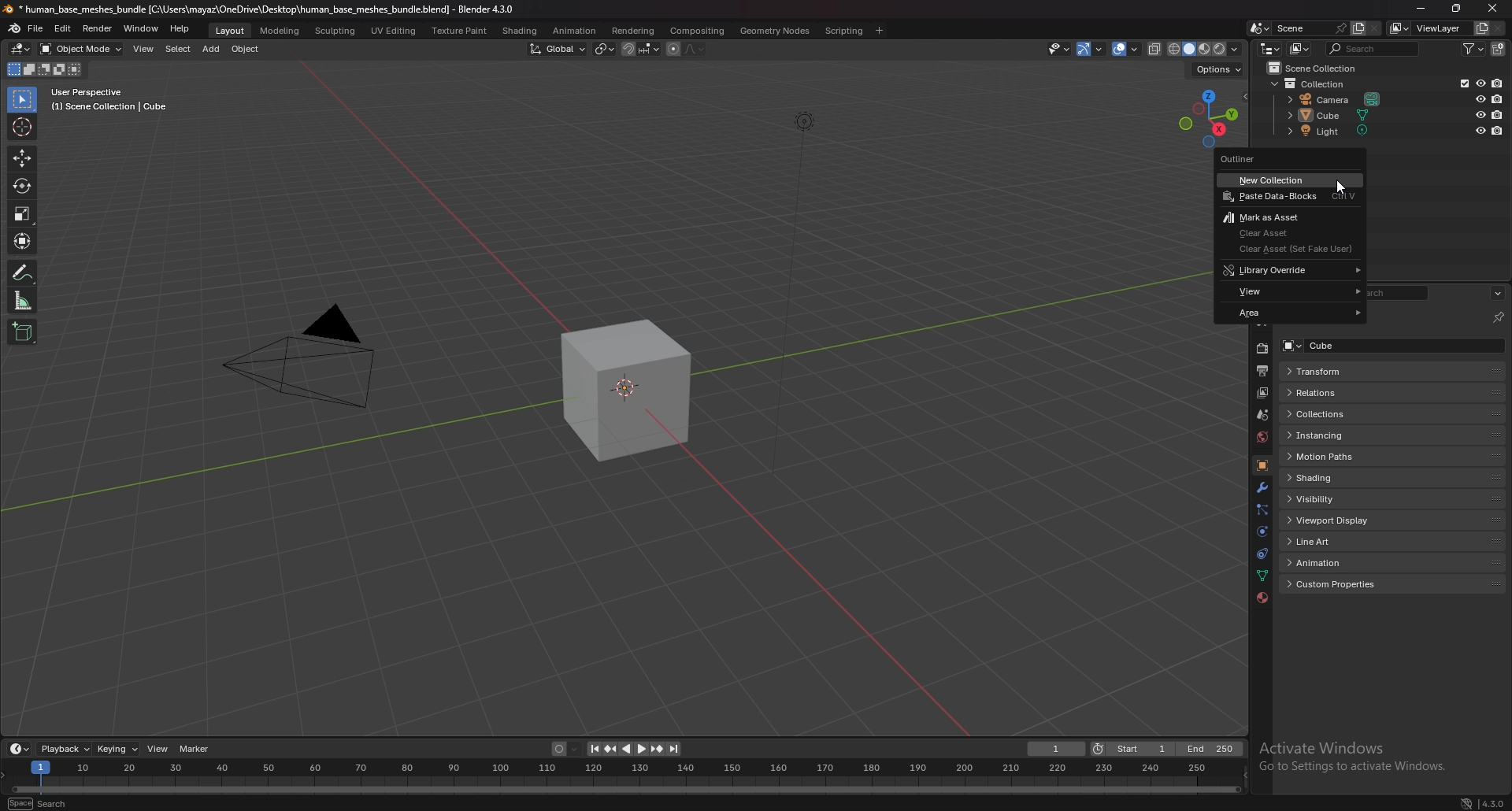 The height and width of the screenshot is (811, 1512). Describe the element at coordinates (1340, 345) in the screenshot. I see `cube` at that location.